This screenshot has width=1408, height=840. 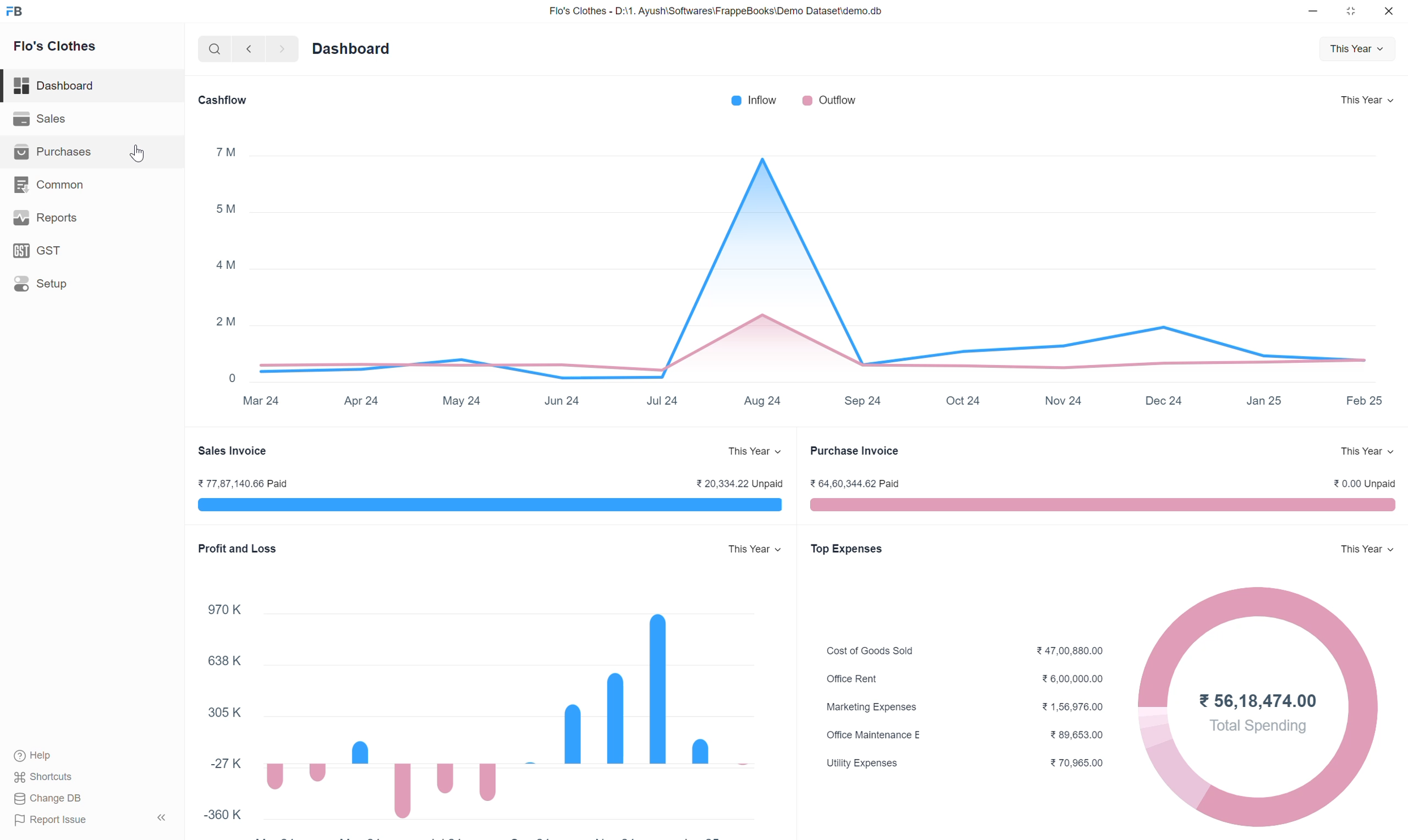 What do you see at coordinates (1363, 483) in the screenshot?
I see `0.00 Unpaid` at bounding box center [1363, 483].